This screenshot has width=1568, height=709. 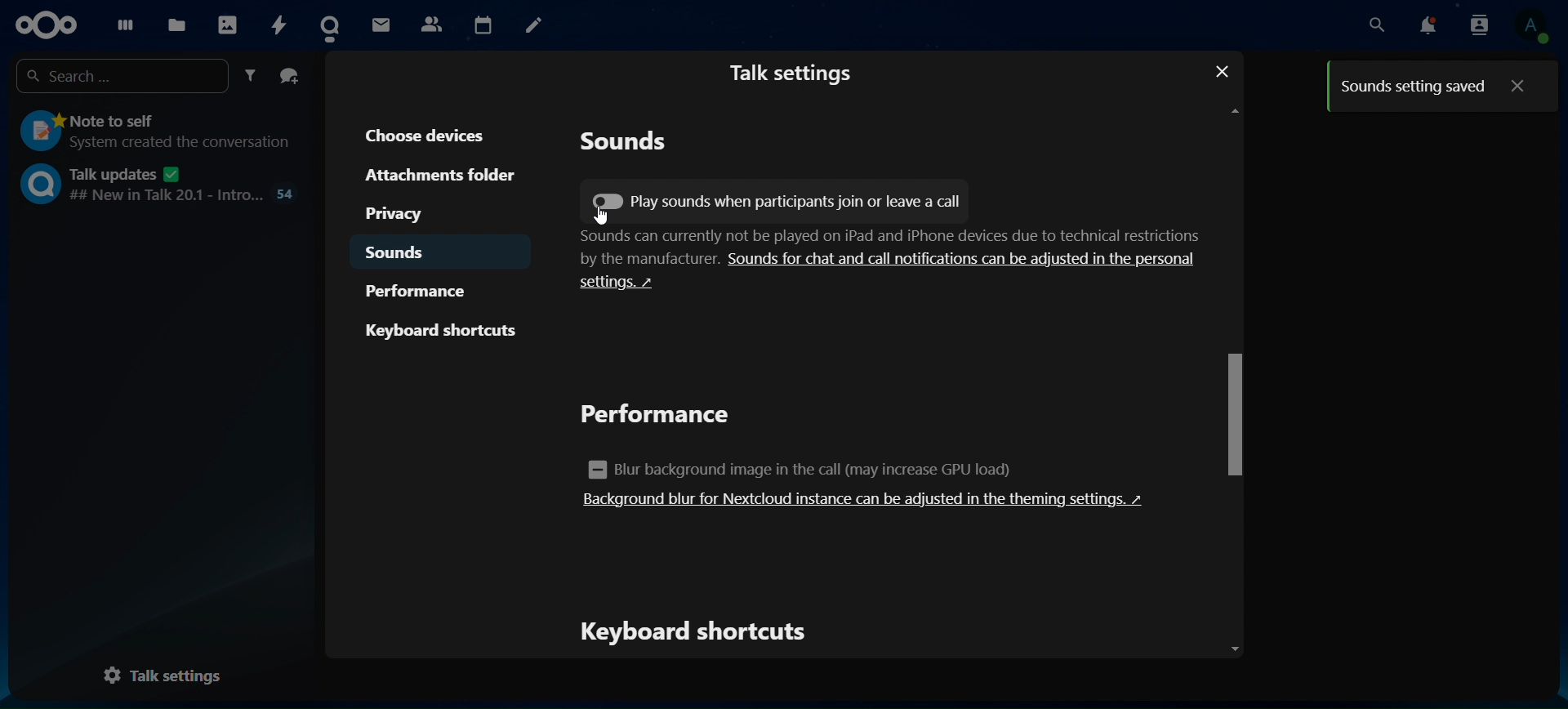 I want to click on Background blur for nextcloud instance can be adjusted in the theming settings., so click(x=866, y=500).